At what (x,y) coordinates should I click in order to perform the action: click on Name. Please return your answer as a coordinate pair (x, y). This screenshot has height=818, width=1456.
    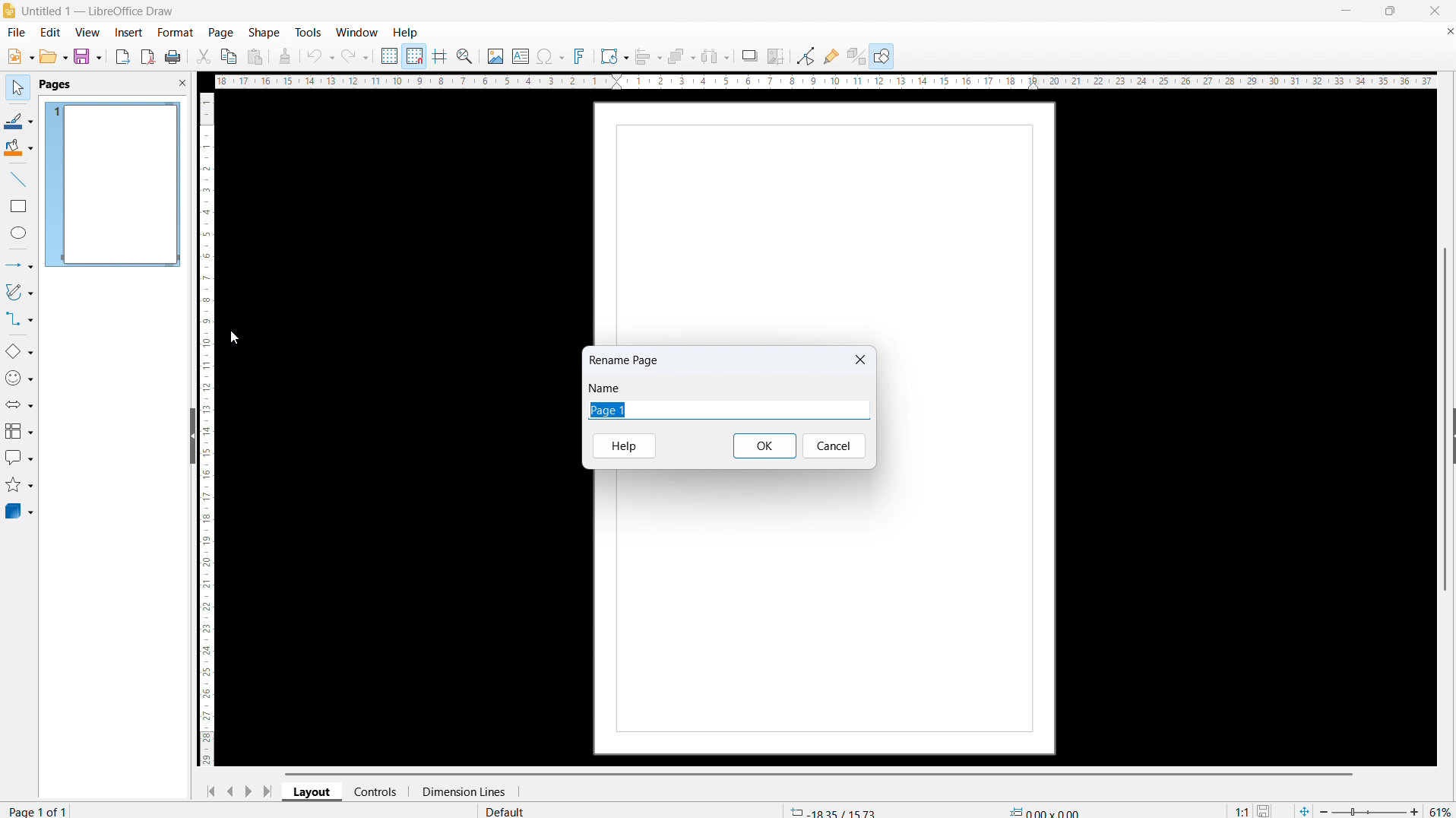
    Looking at the image, I should click on (606, 389).